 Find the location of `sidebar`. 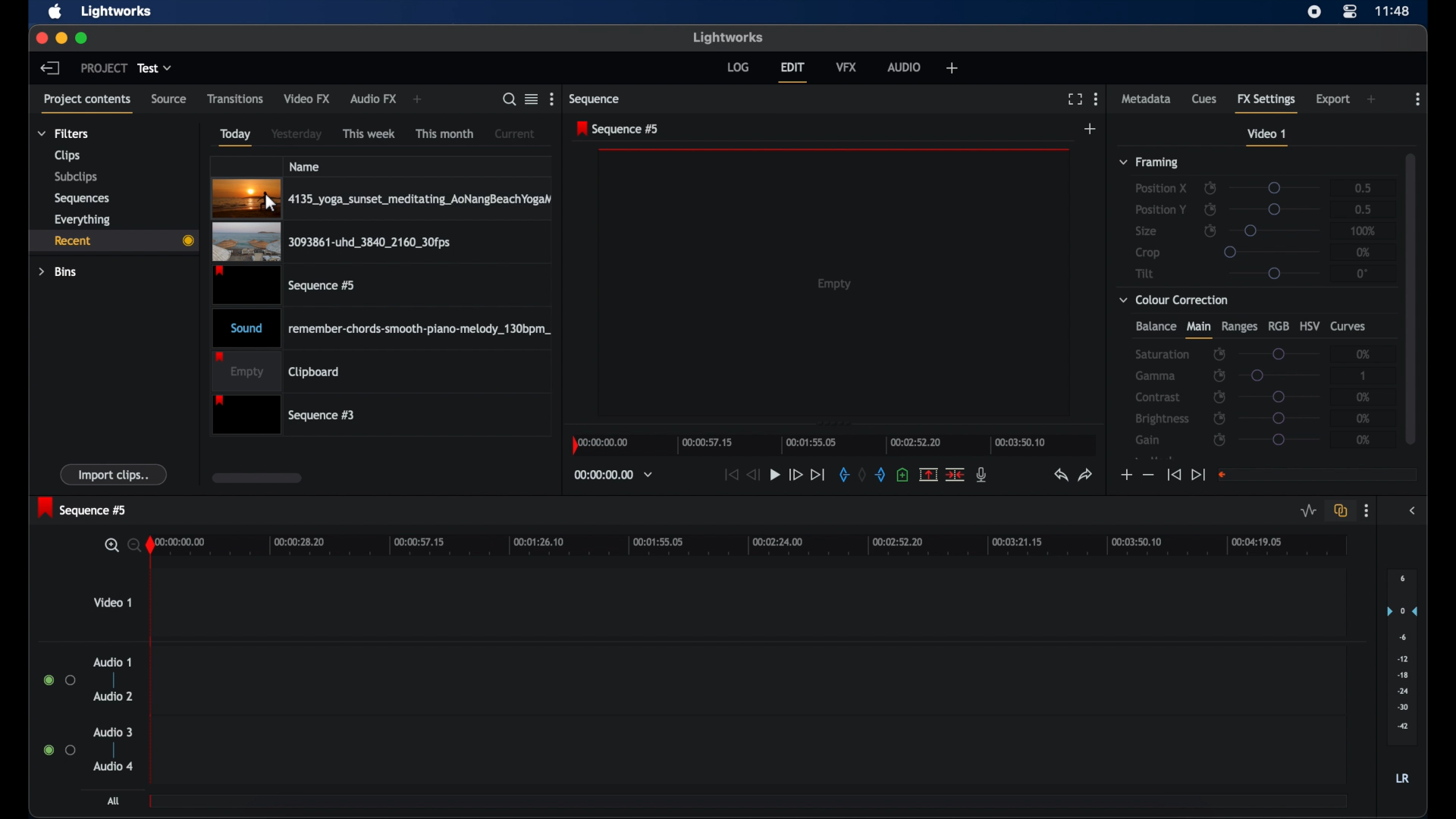

sidebar is located at coordinates (1414, 511).